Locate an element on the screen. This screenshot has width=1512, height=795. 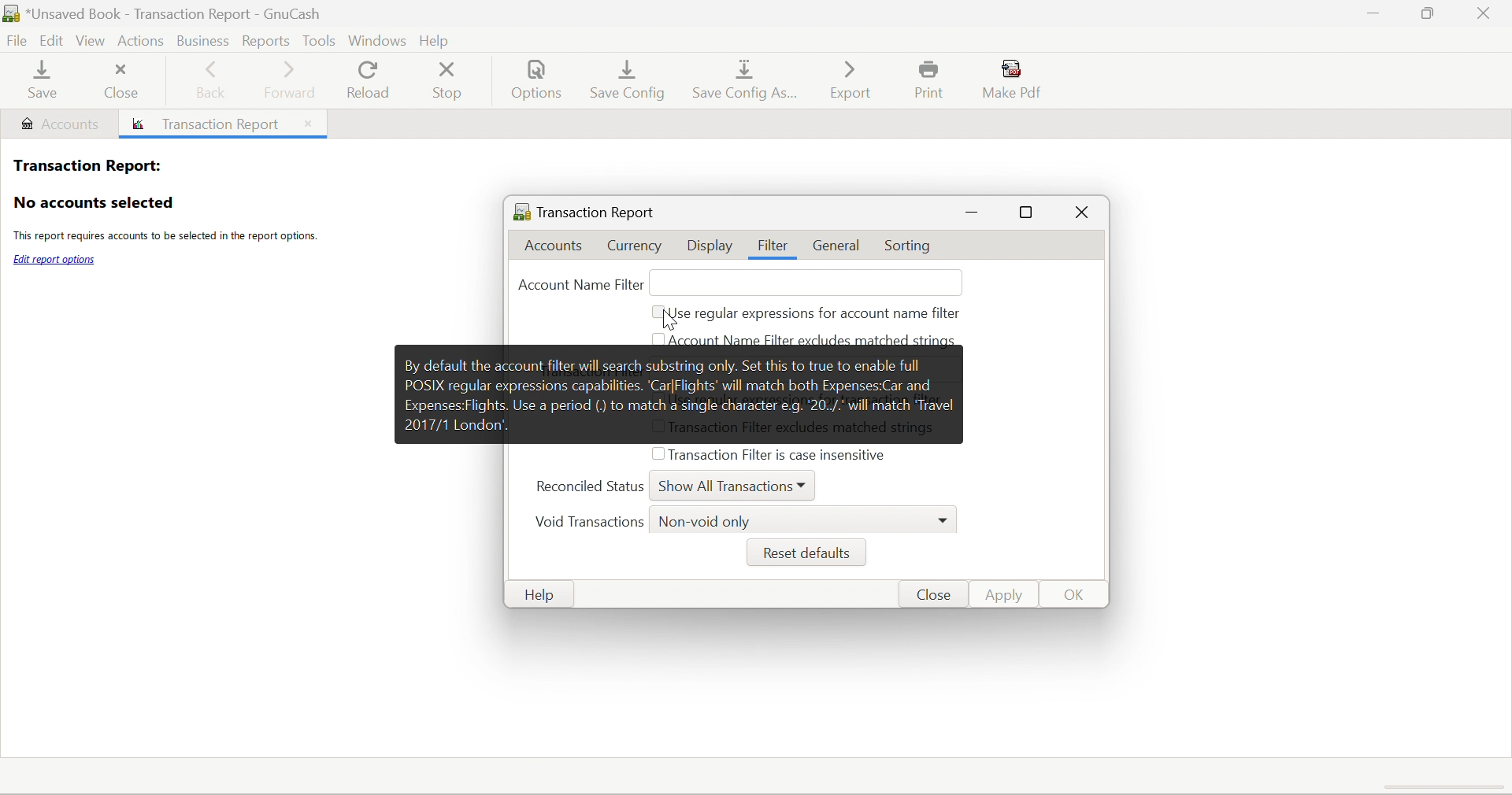
General is located at coordinates (839, 246).